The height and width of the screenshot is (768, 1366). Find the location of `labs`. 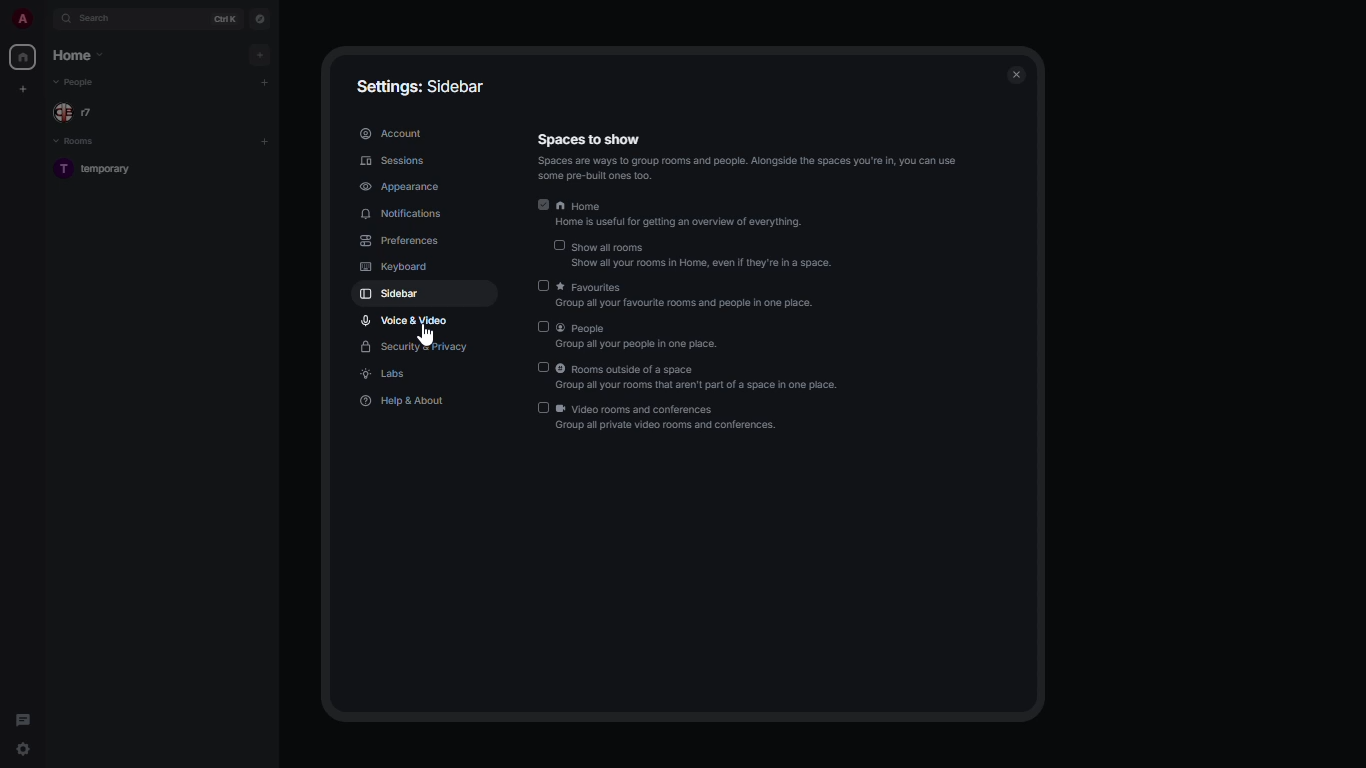

labs is located at coordinates (386, 375).